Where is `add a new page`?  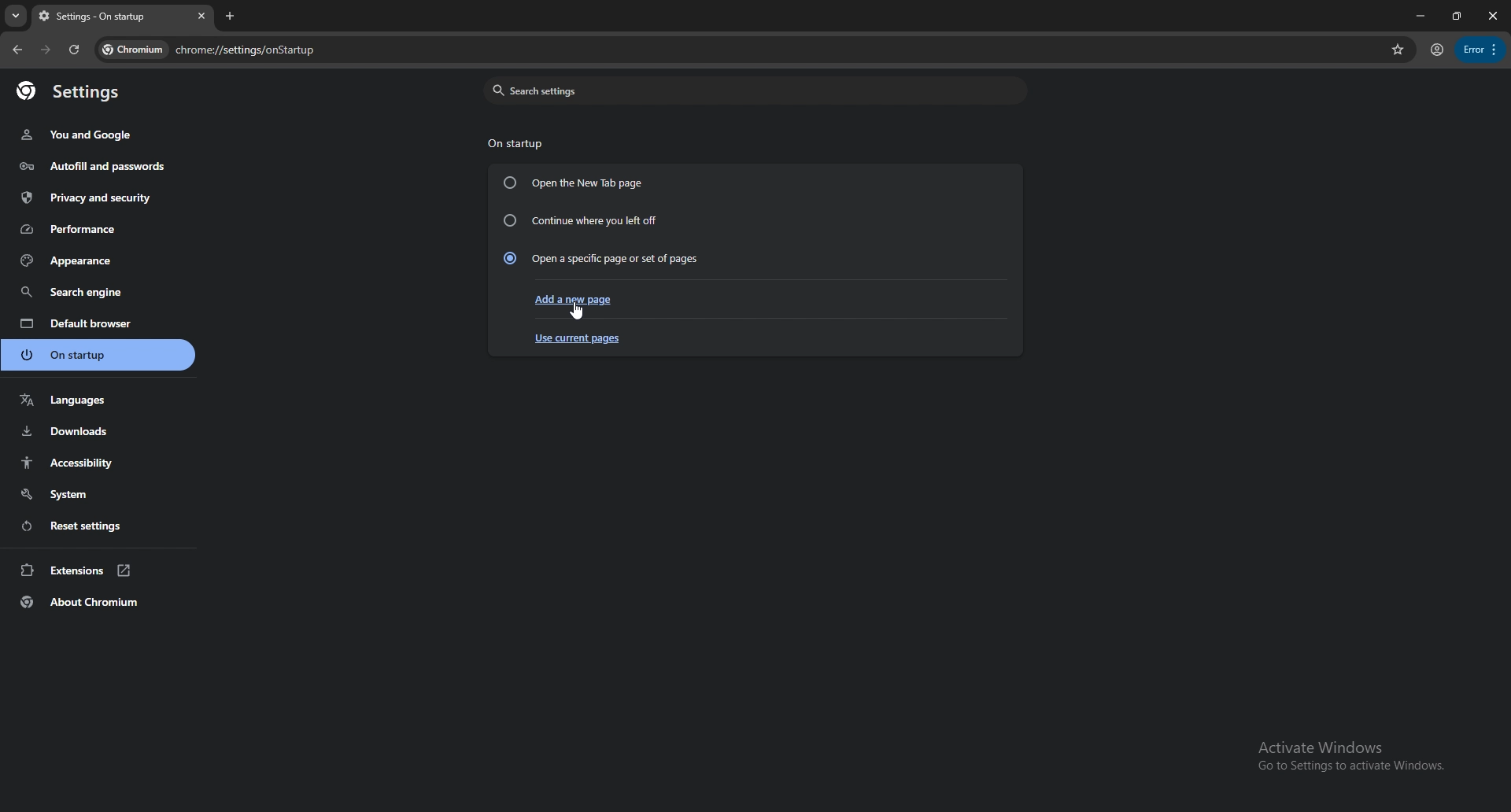 add a new page is located at coordinates (574, 301).